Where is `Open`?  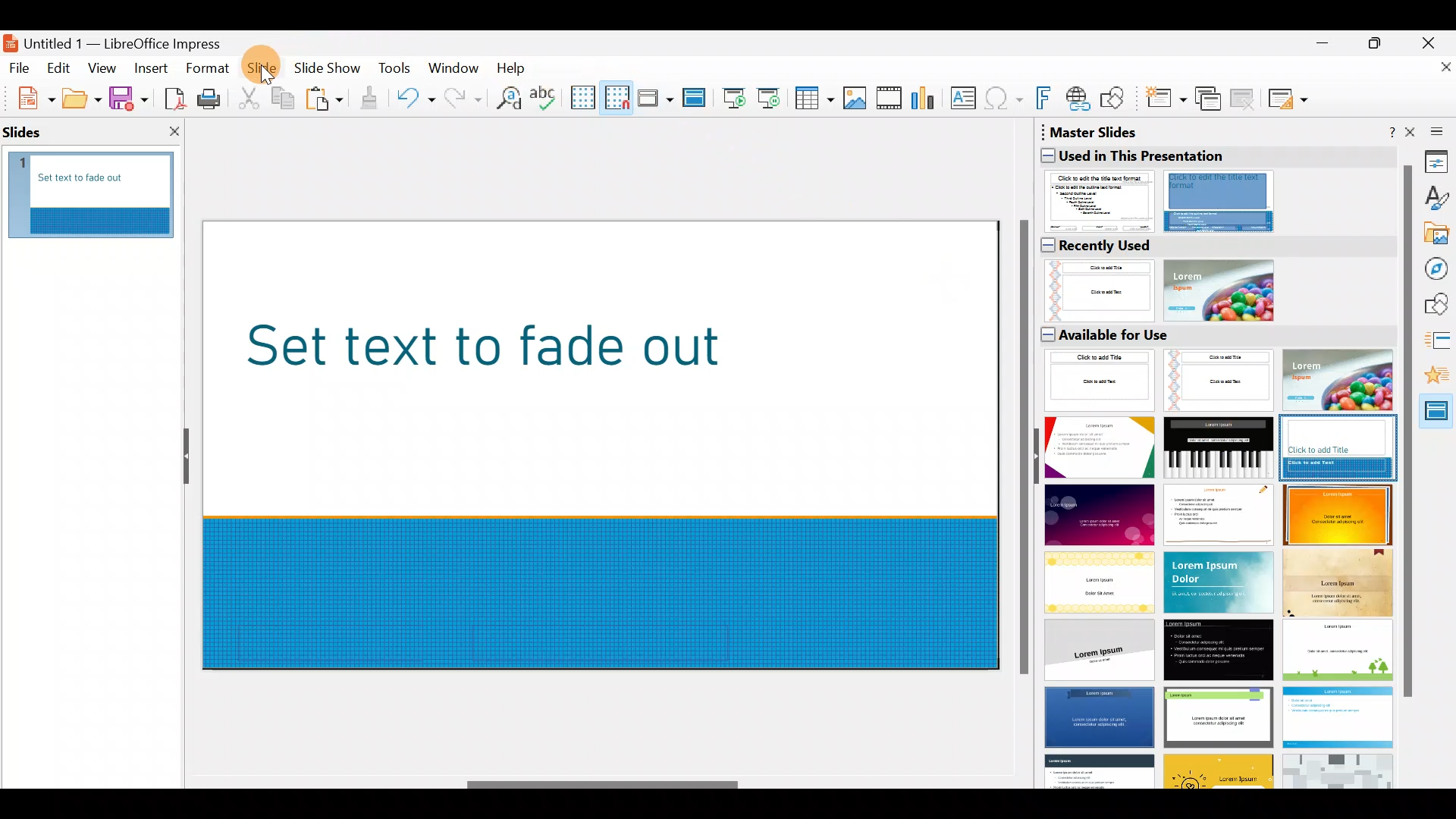
Open is located at coordinates (82, 99).